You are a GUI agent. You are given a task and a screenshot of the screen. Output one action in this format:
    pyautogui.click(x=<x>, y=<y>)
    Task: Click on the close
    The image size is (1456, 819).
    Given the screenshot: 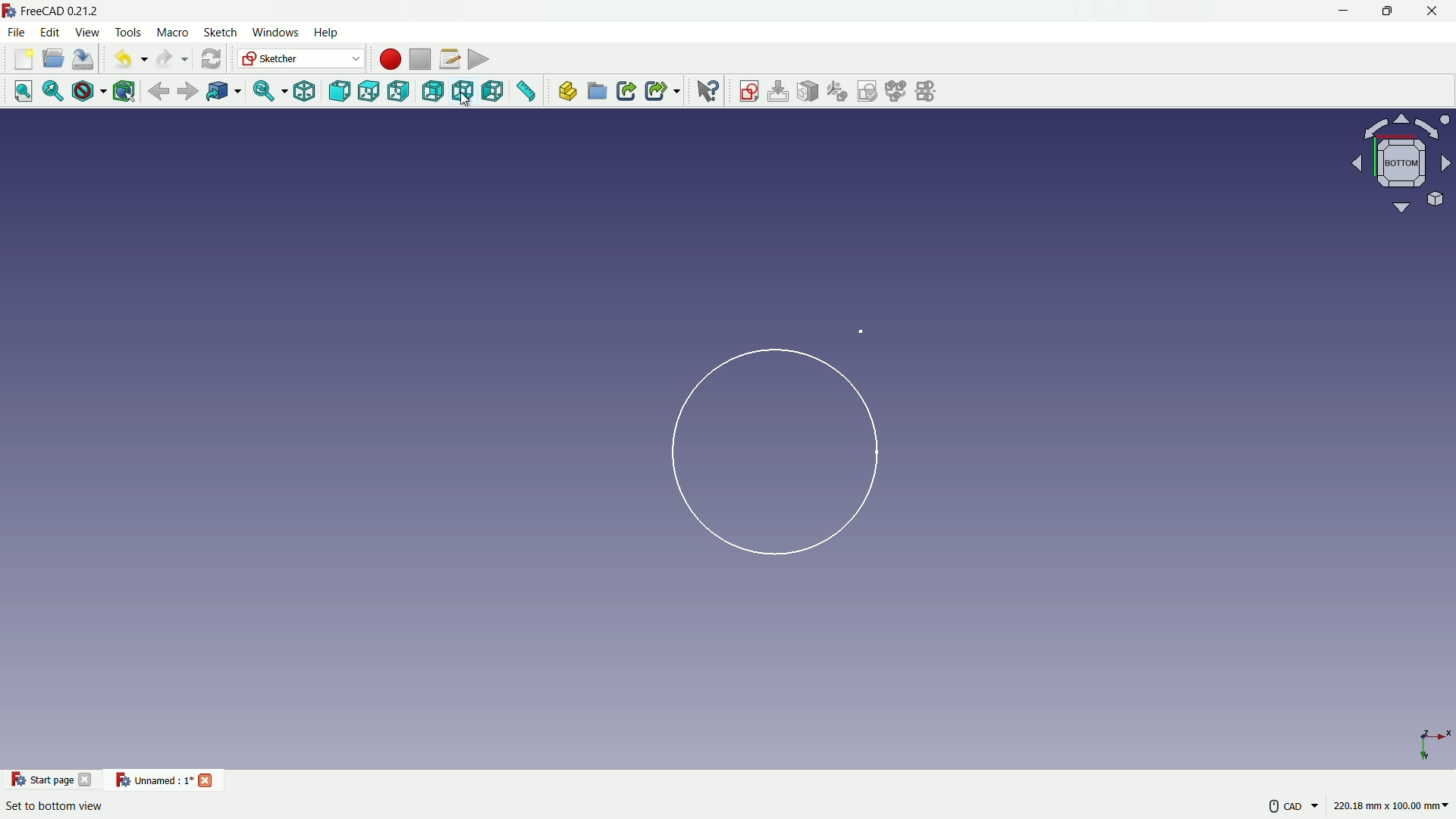 What is the action you would take?
    pyautogui.click(x=88, y=779)
    